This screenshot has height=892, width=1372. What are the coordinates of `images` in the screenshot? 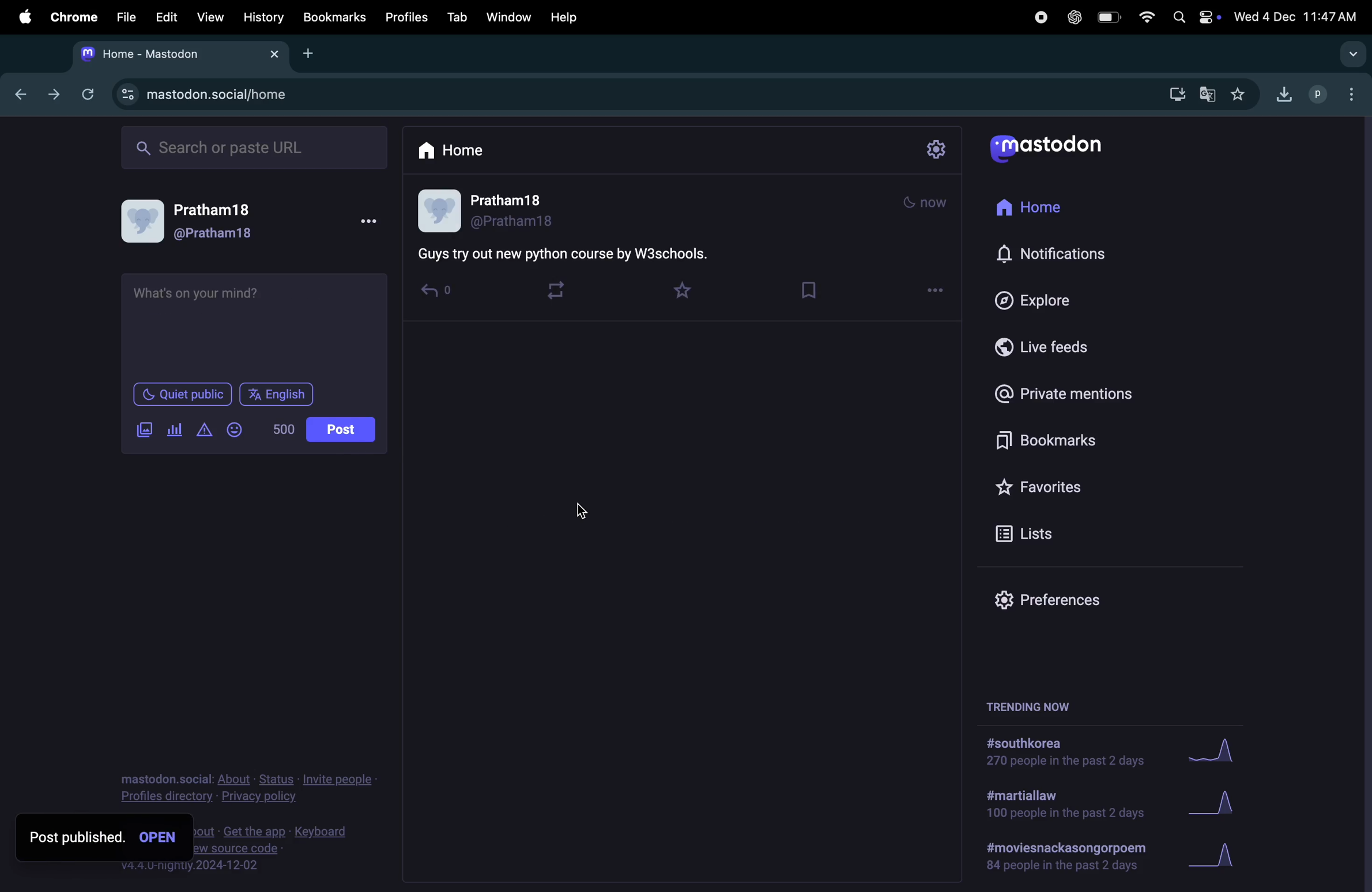 It's located at (144, 430).